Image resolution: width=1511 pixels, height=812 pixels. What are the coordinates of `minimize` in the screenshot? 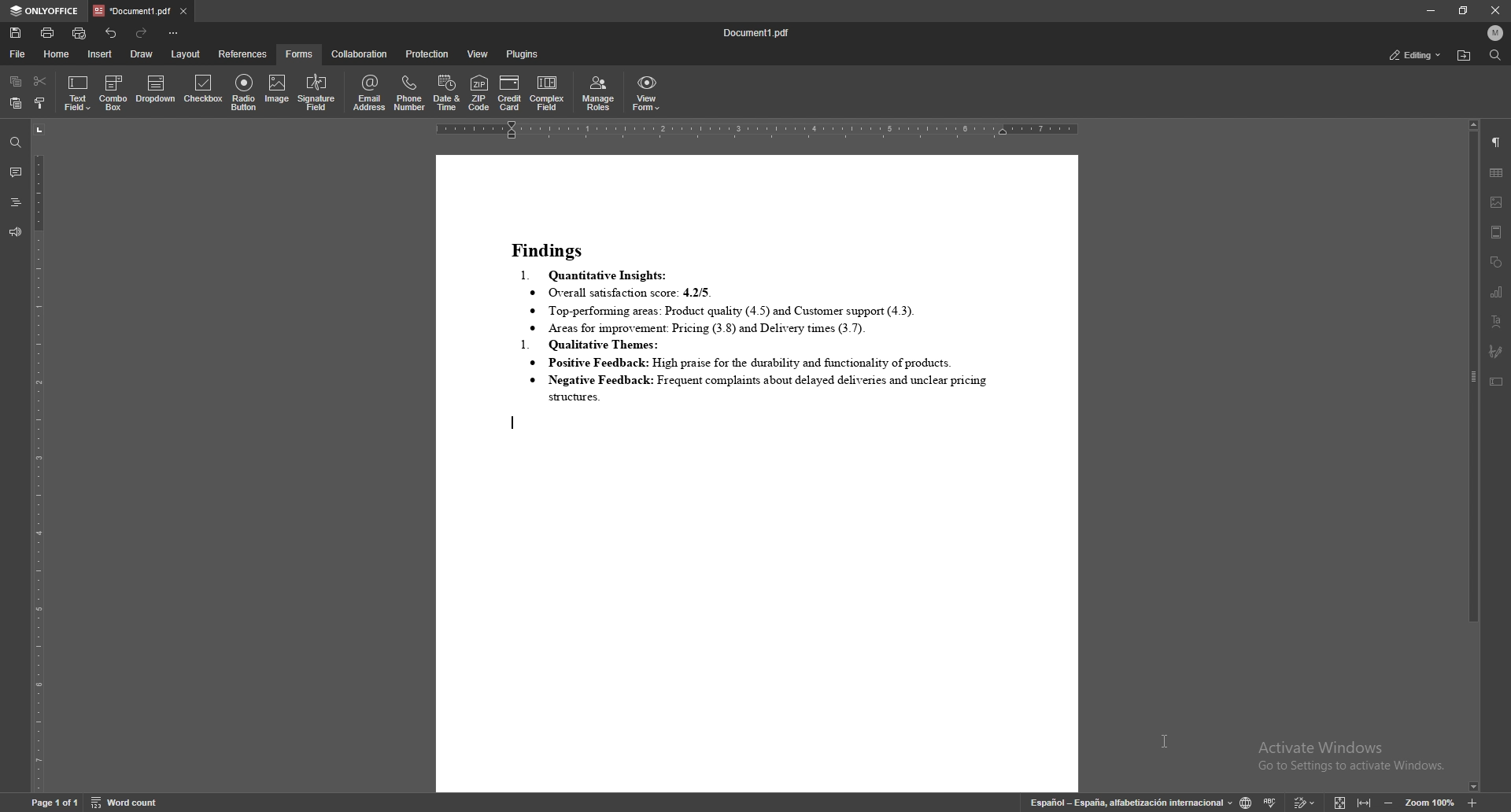 It's located at (1431, 10).